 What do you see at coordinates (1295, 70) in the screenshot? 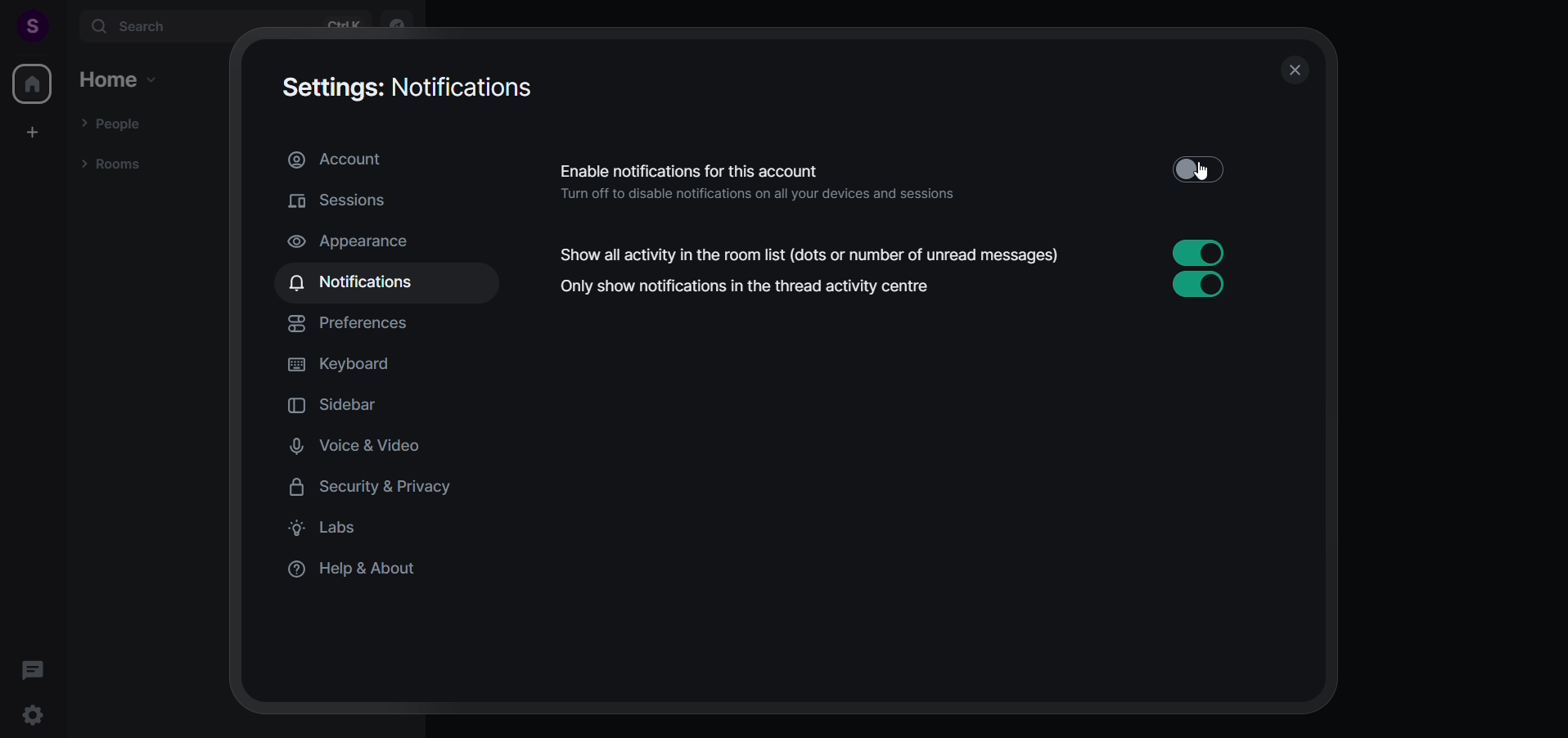
I see `Close` at bounding box center [1295, 70].